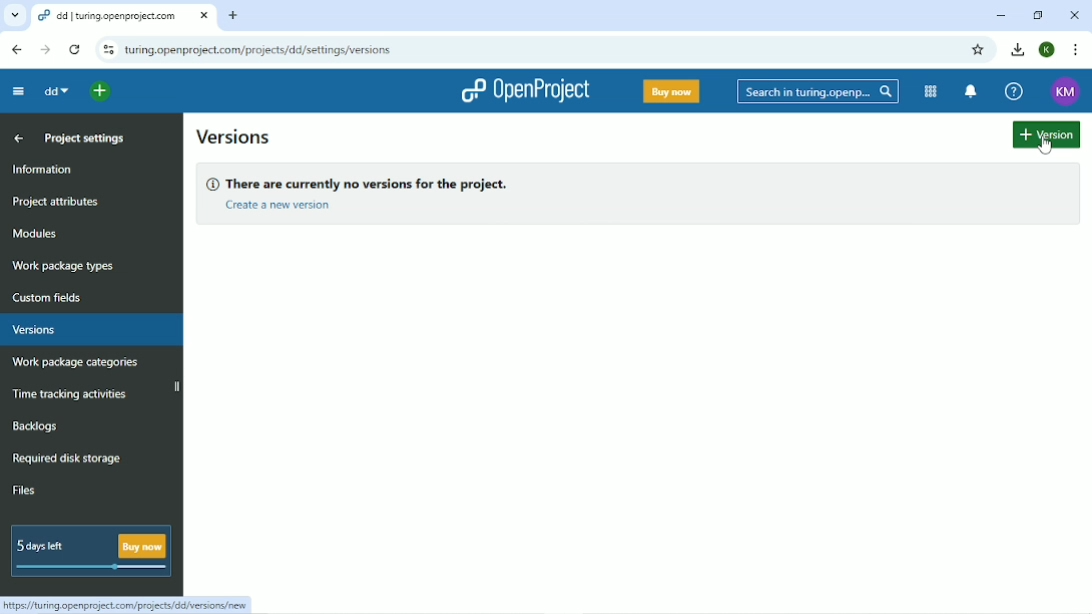 Image resolution: width=1092 pixels, height=614 pixels. What do you see at coordinates (1048, 49) in the screenshot?
I see `Account` at bounding box center [1048, 49].